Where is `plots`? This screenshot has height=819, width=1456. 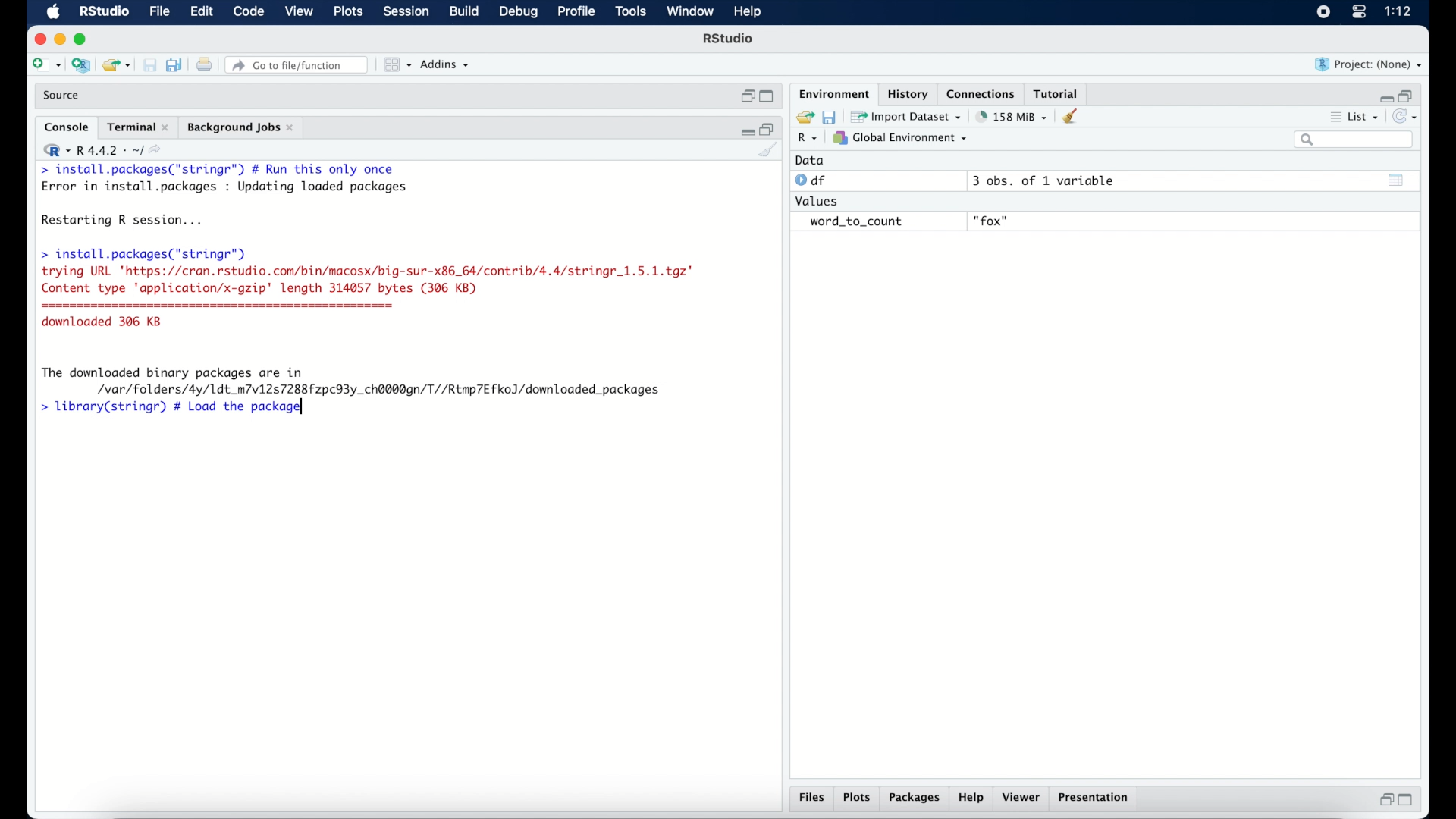 plots is located at coordinates (350, 12).